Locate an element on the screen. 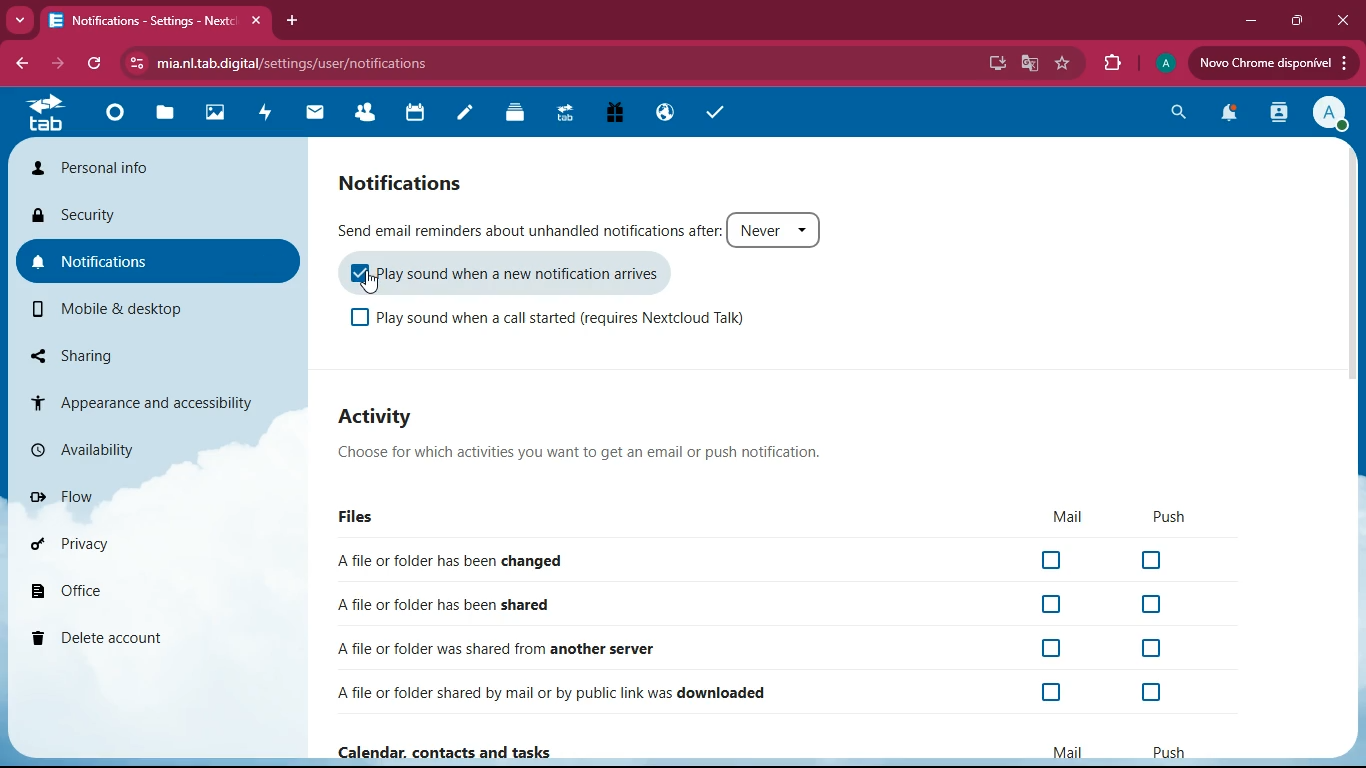  delete  is located at coordinates (128, 639).